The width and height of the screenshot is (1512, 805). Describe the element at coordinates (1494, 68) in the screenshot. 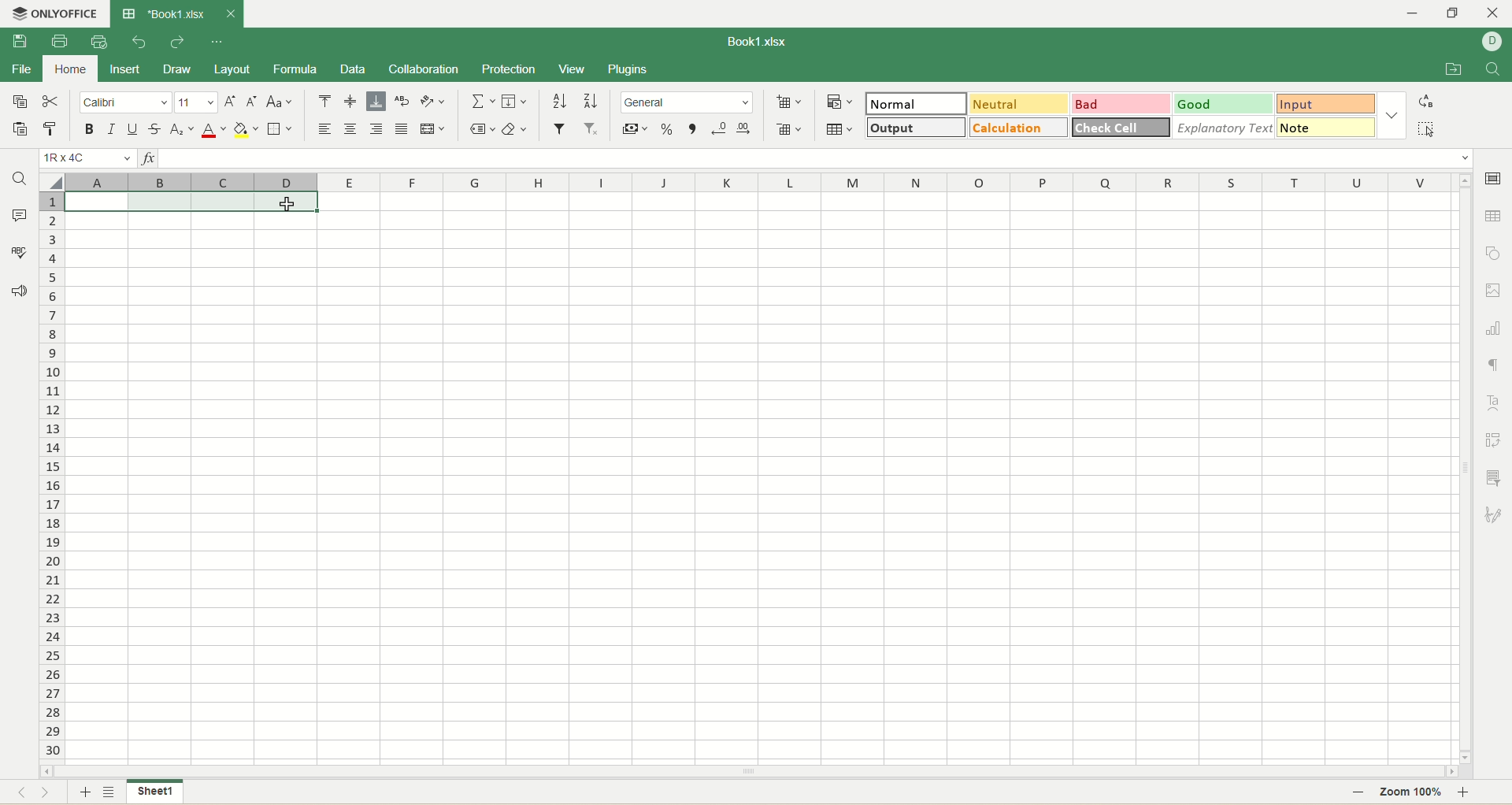

I see `find` at that location.